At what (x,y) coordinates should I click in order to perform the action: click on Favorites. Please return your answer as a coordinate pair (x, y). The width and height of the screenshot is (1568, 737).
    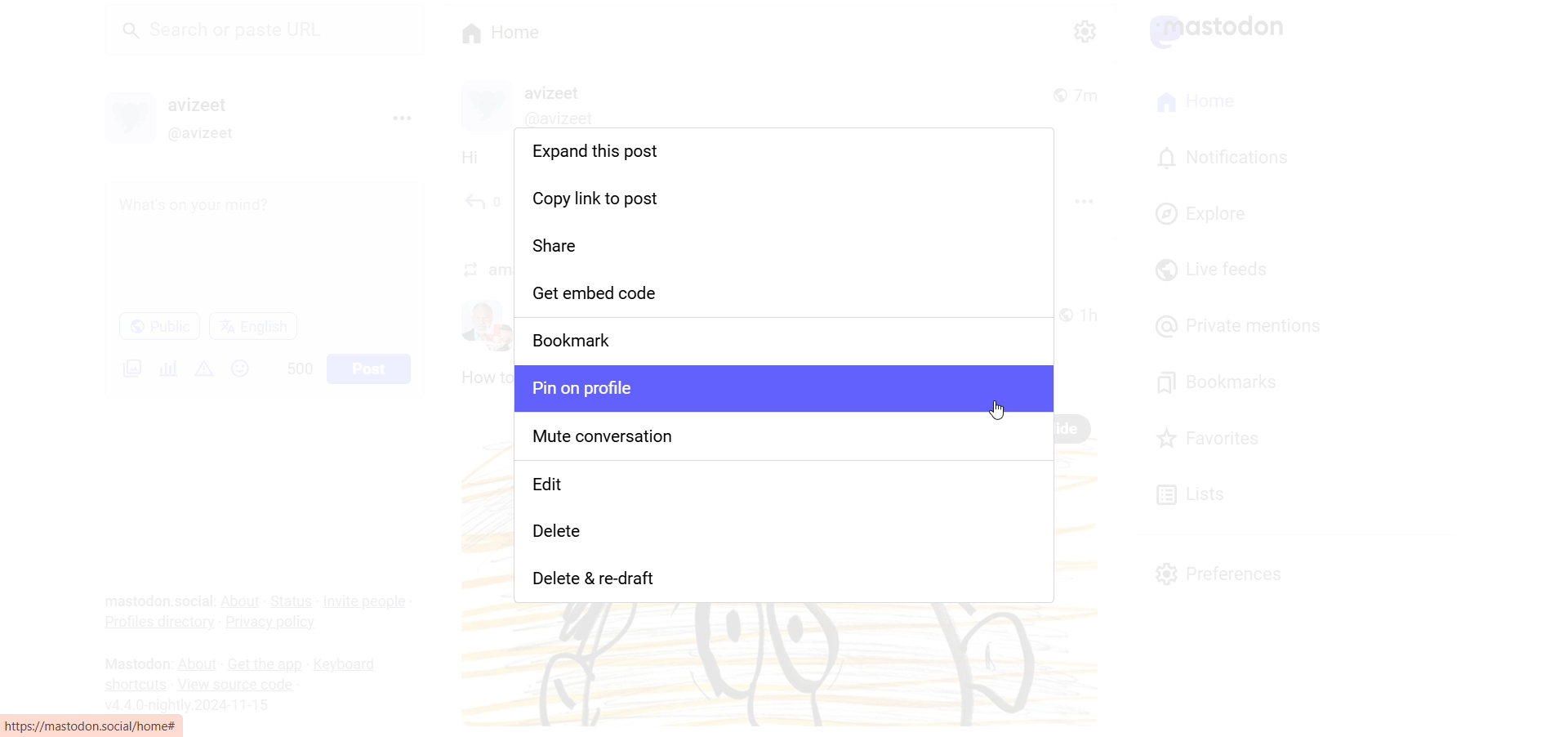
    Looking at the image, I should click on (1220, 437).